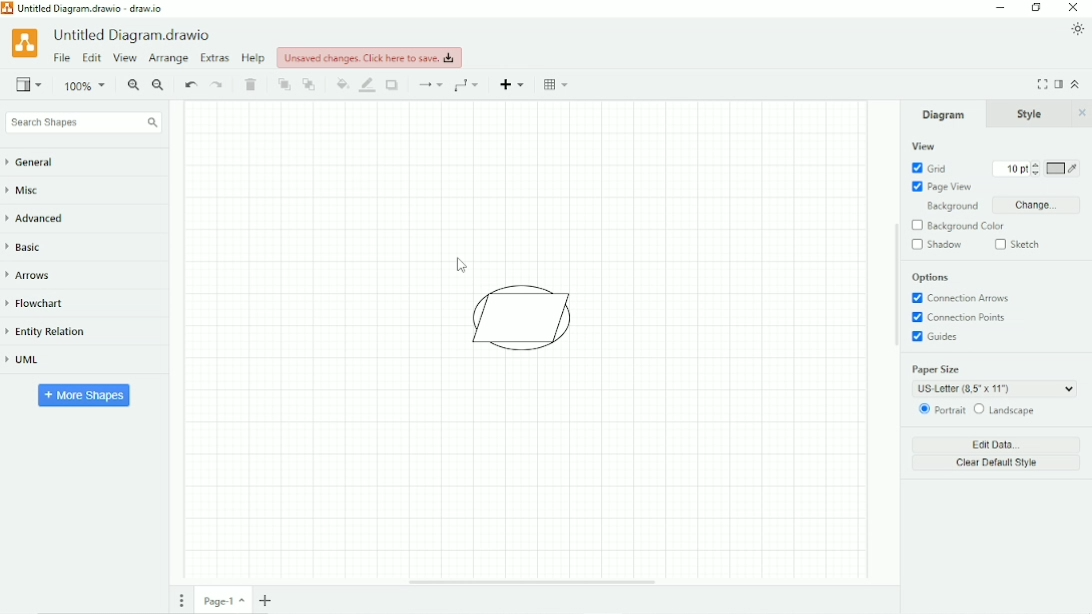 The width and height of the screenshot is (1092, 614). I want to click on Sketch, so click(1020, 244).